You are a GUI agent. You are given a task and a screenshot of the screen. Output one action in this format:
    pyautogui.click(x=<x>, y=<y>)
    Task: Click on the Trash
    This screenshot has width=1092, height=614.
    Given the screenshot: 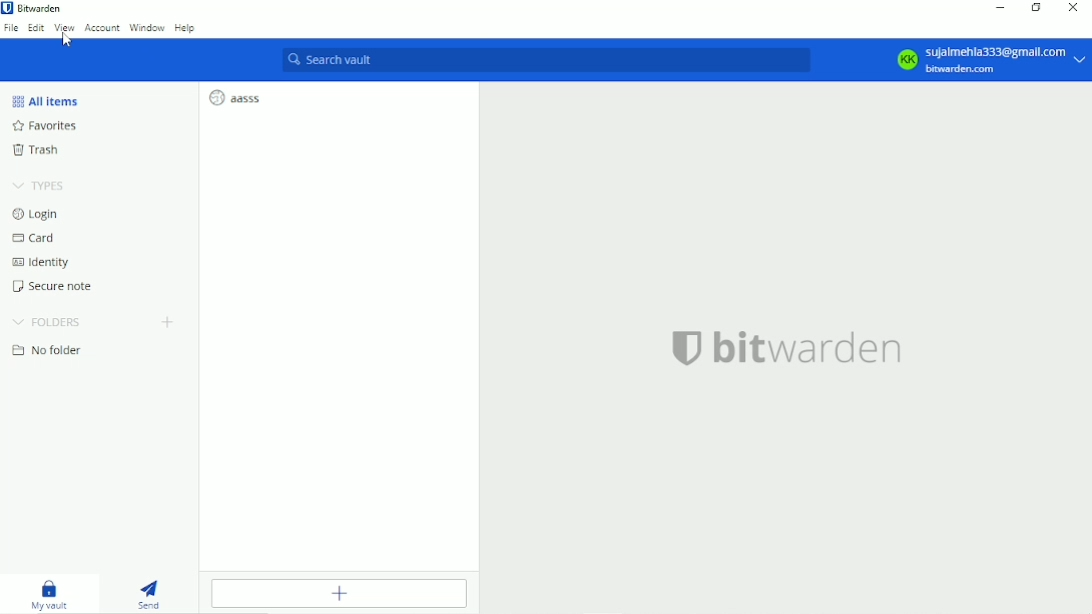 What is the action you would take?
    pyautogui.click(x=44, y=151)
    